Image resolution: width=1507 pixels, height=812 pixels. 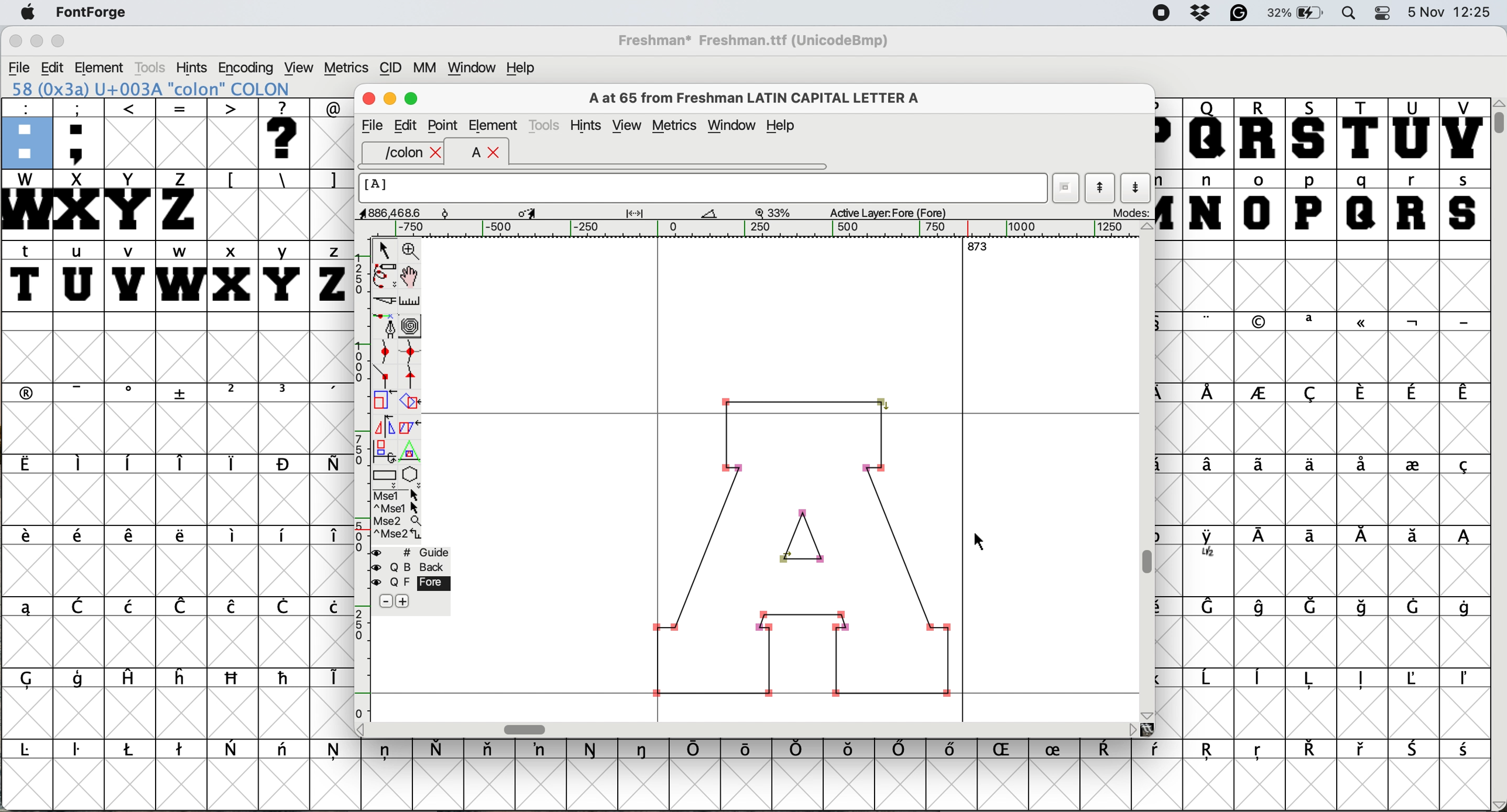 I want to click on date and time, so click(x=1452, y=12).